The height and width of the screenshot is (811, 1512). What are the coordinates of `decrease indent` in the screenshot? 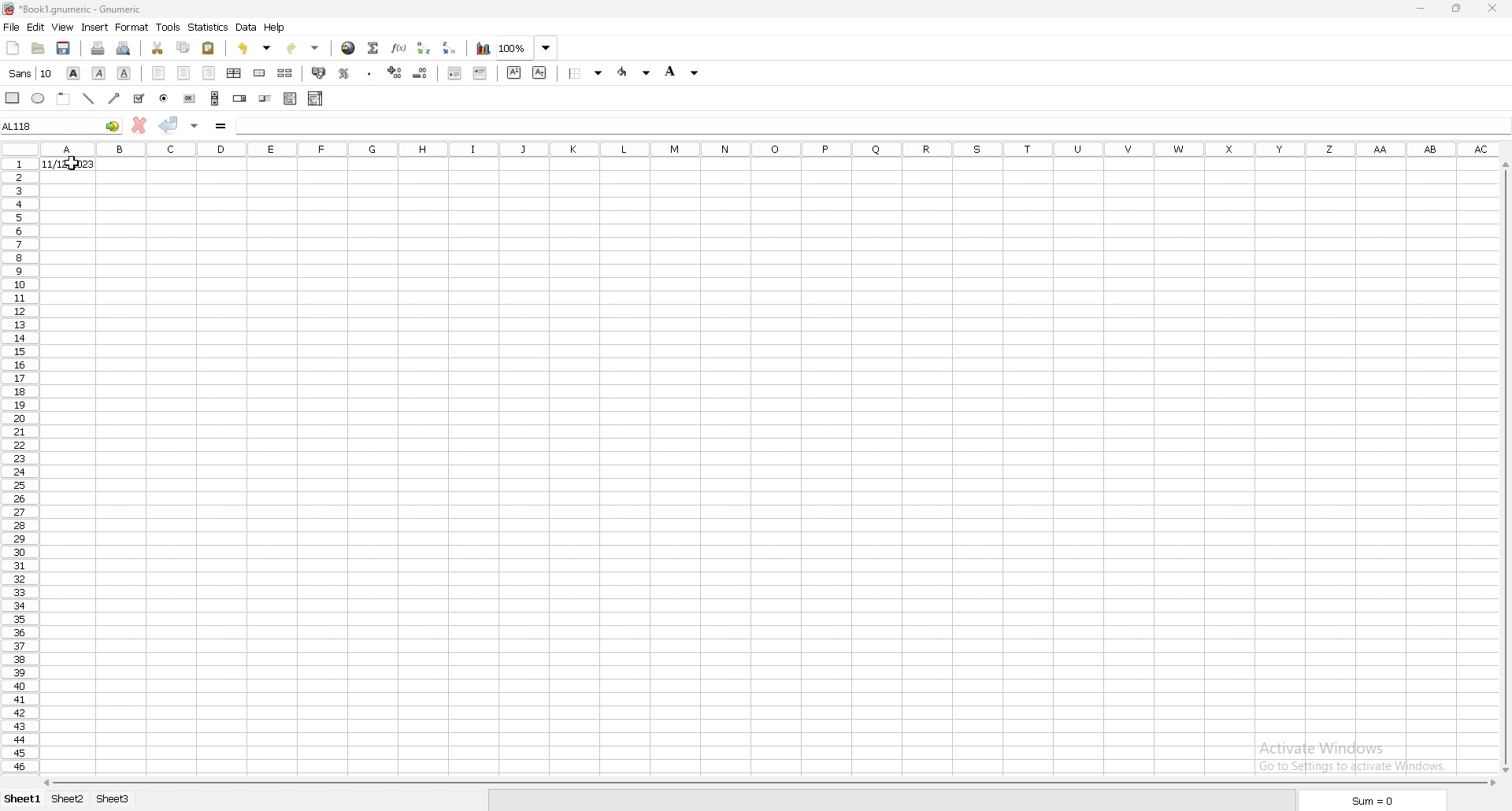 It's located at (420, 73).